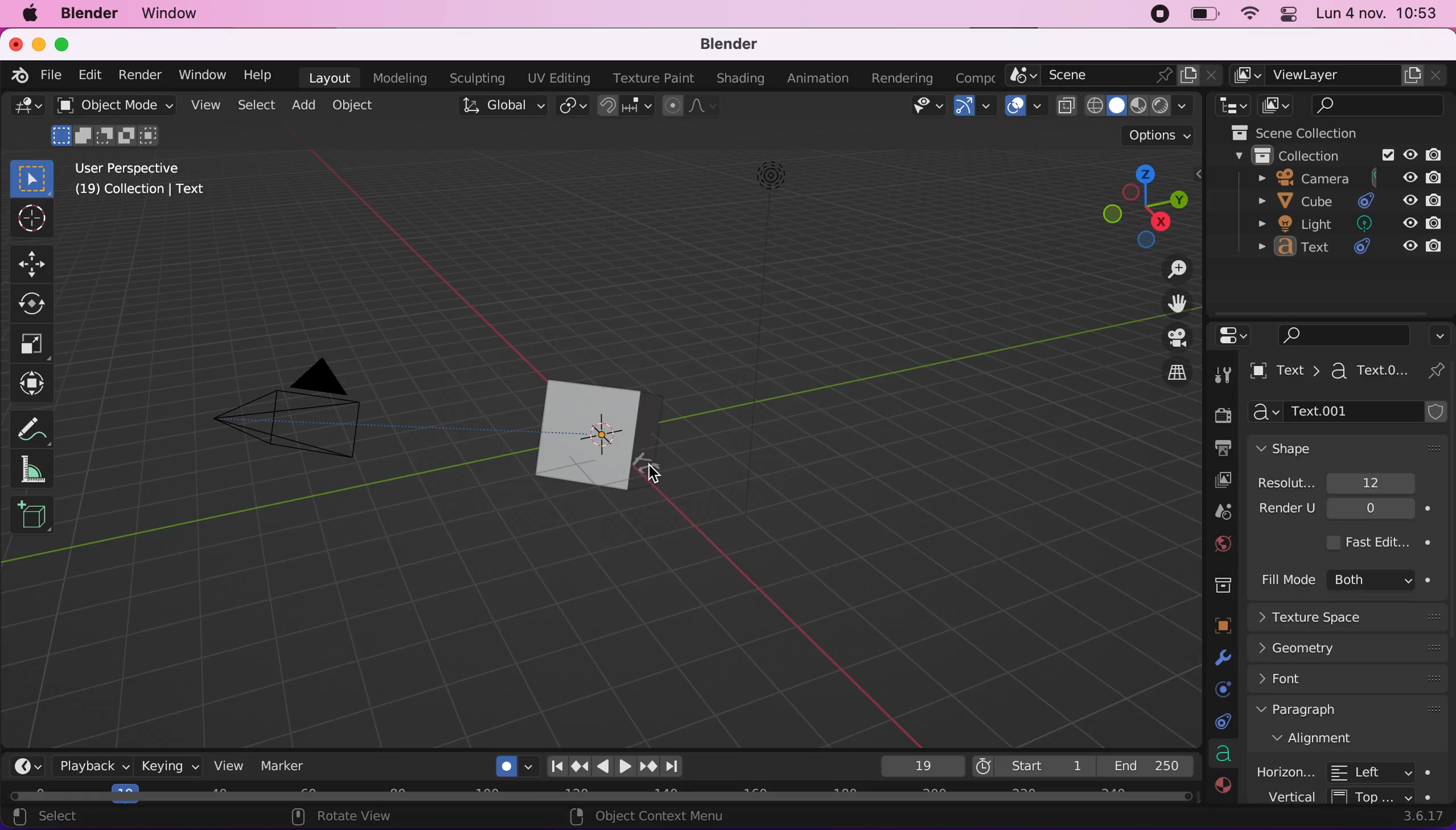  I want to click on cube, so click(551, 429).